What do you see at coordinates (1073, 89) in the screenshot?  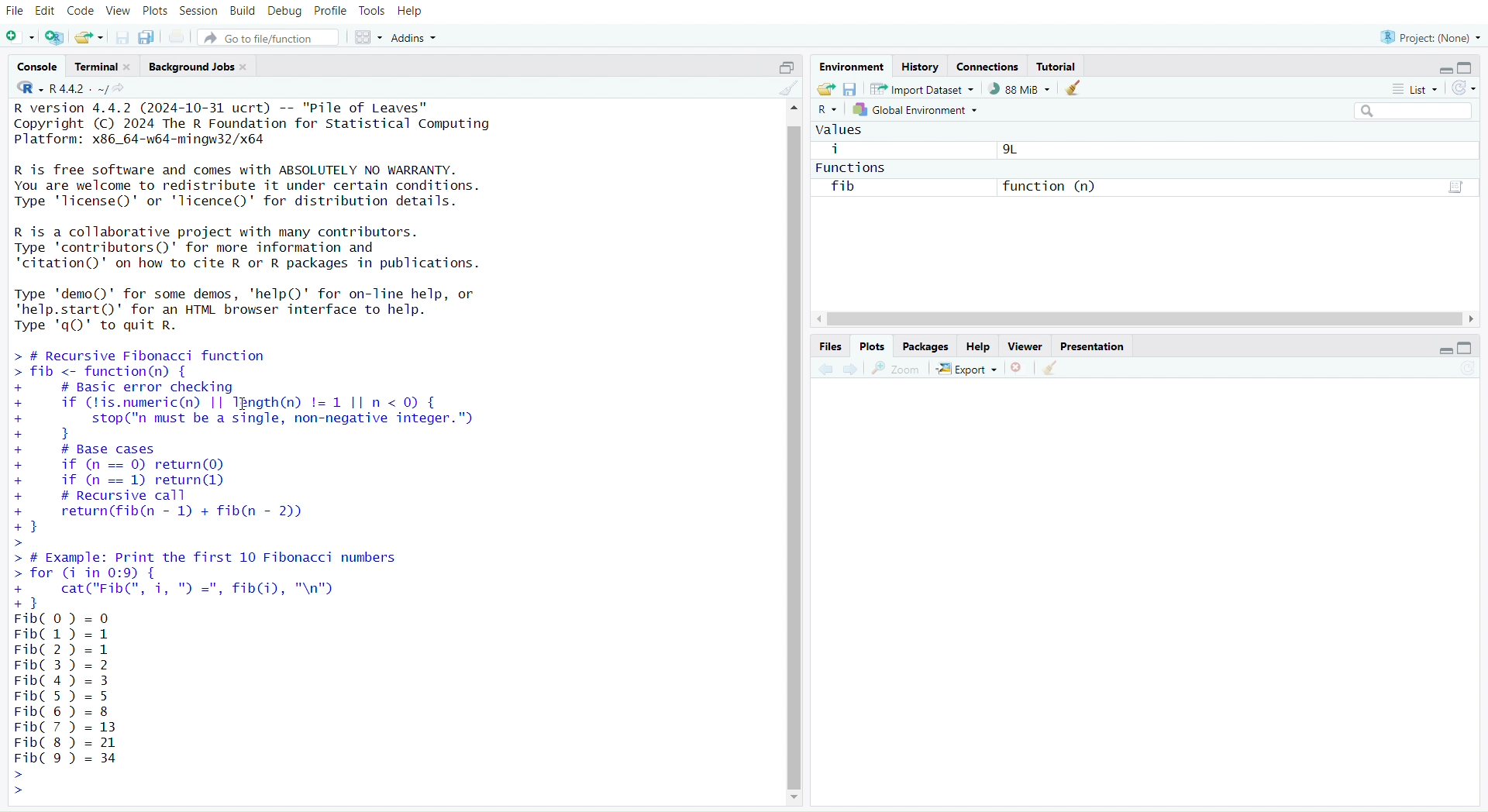 I see `clear all objects` at bounding box center [1073, 89].